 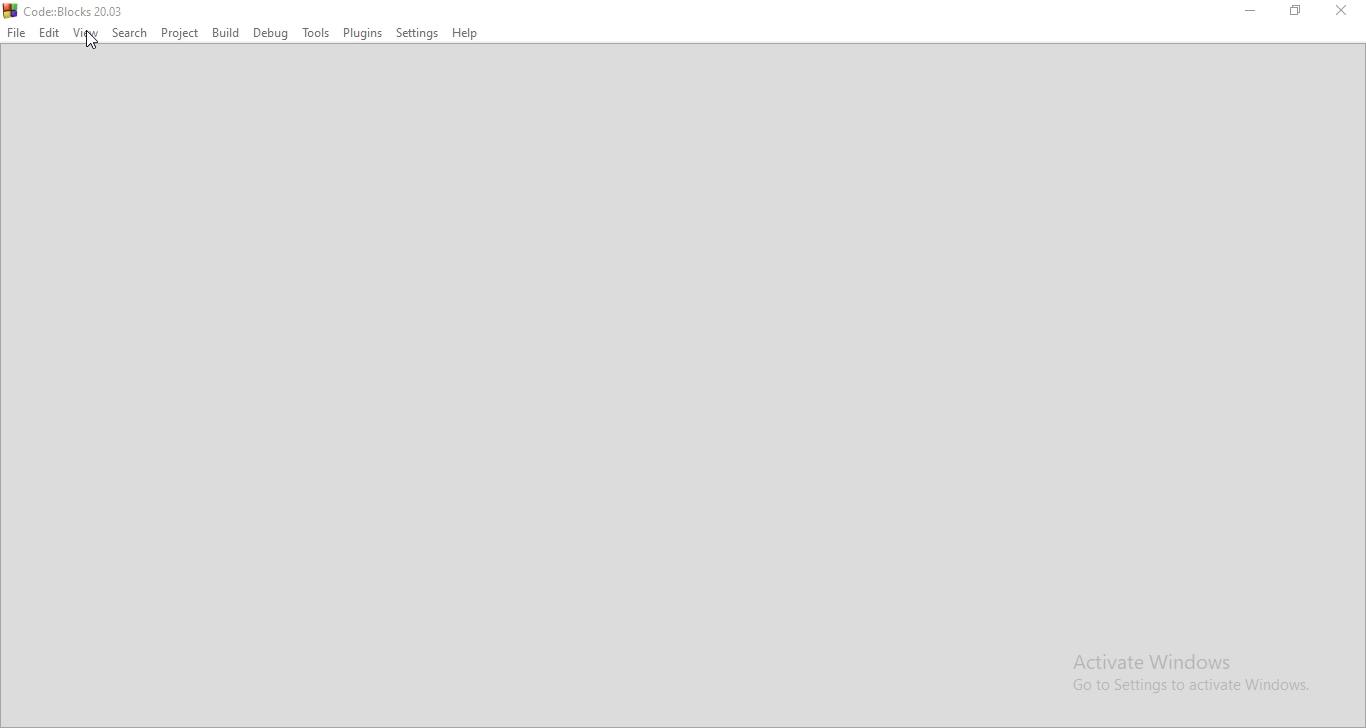 What do you see at coordinates (363, 32) in the screenshot?
I see `Plugins ` at bounding box center [363, 32].